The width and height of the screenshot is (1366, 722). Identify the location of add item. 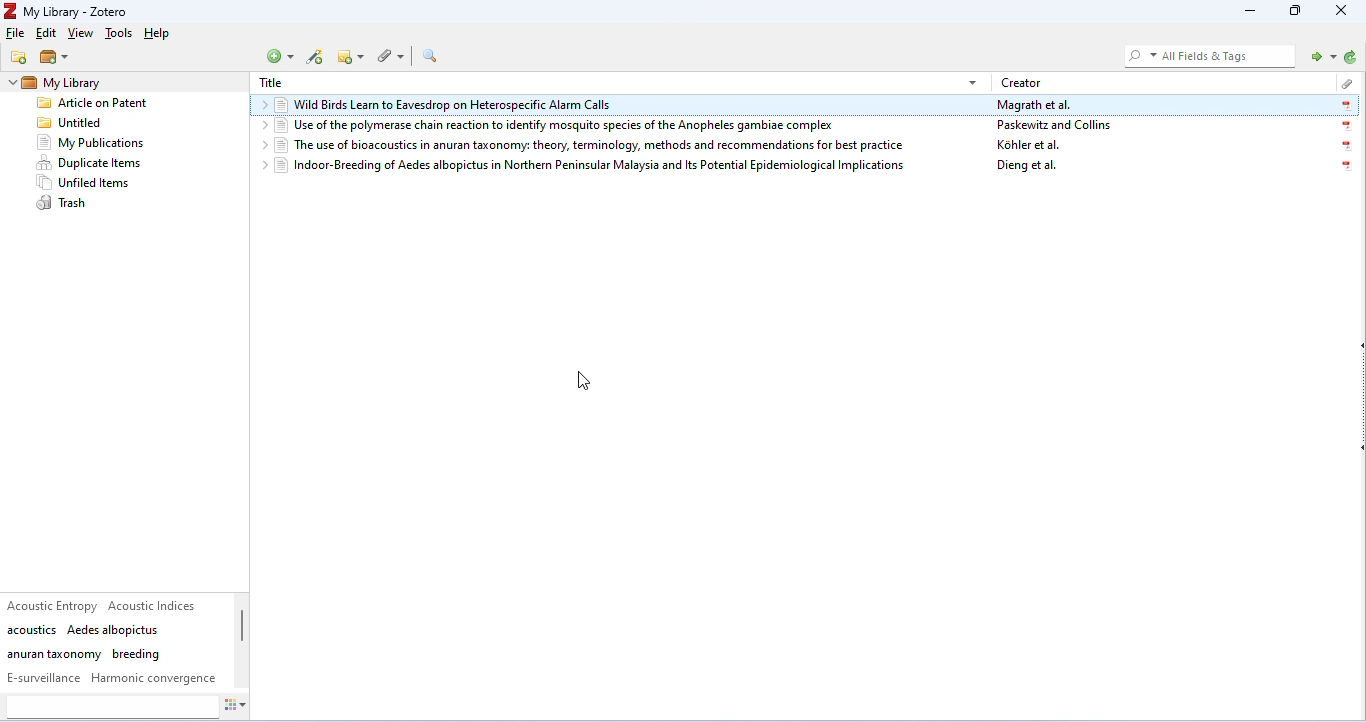
(317, 58).